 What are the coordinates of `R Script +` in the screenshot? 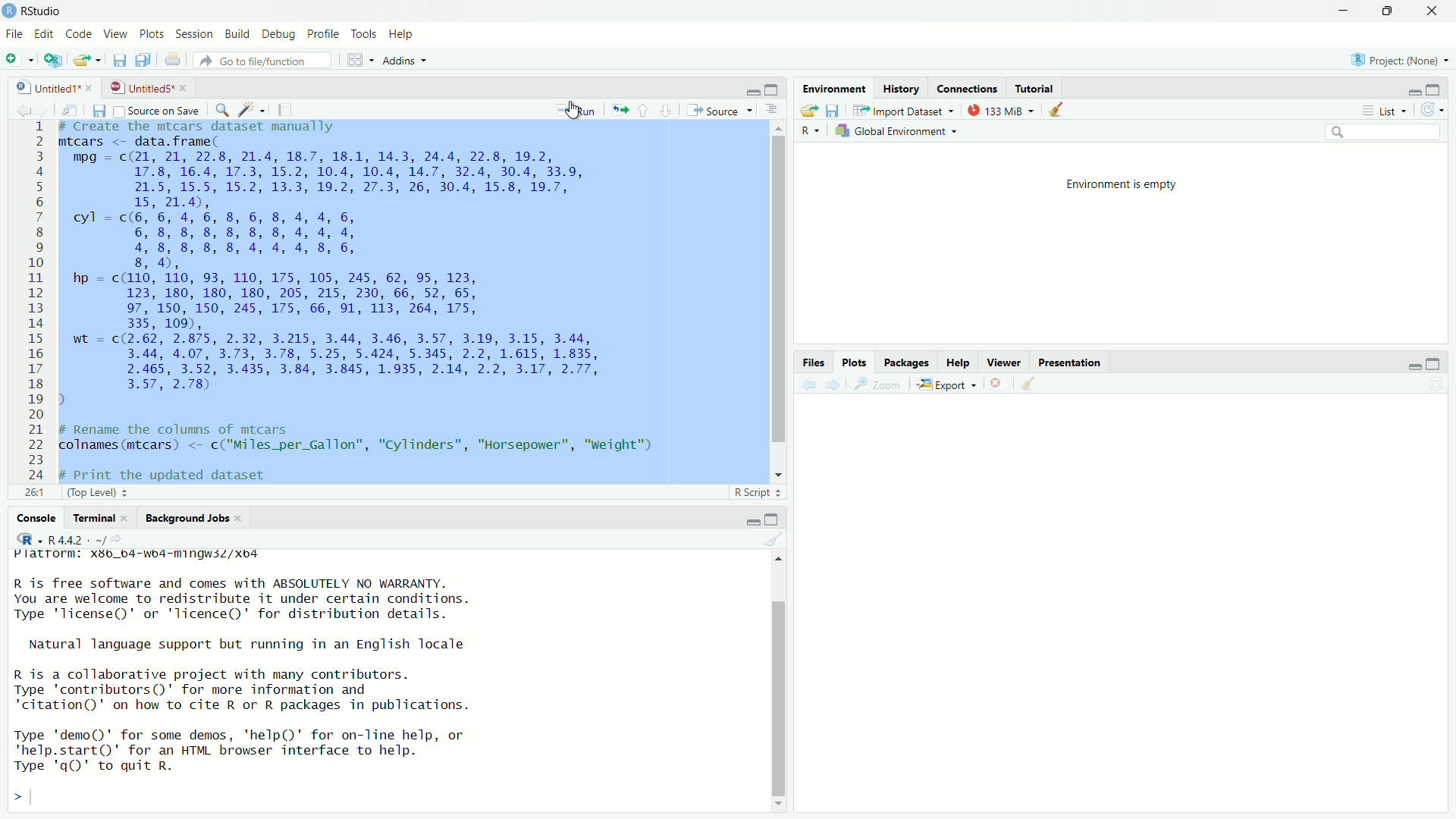 It's located at (754, 494).